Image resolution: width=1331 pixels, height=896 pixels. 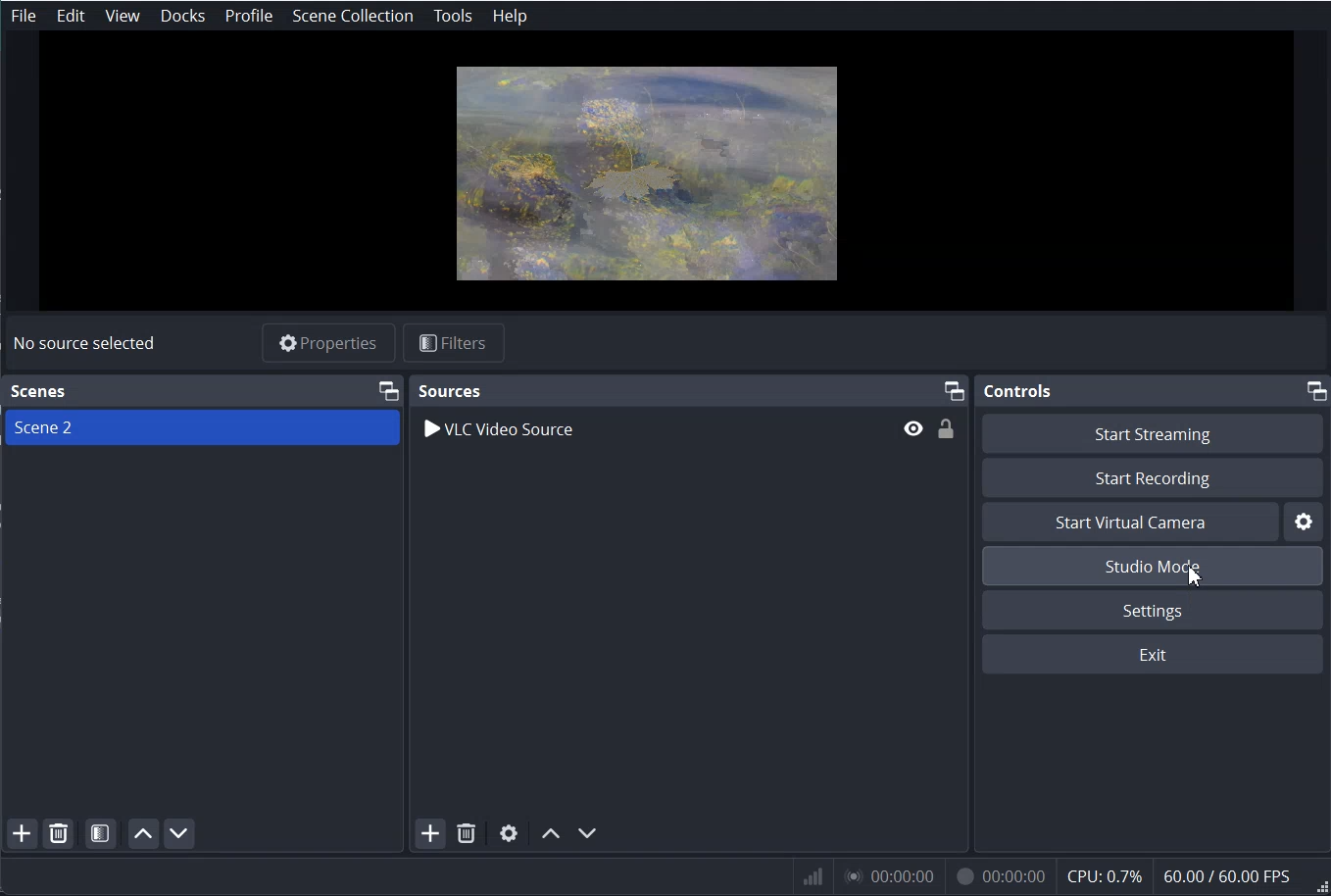 I want to click on File preview window, so click(x=648, y=174).